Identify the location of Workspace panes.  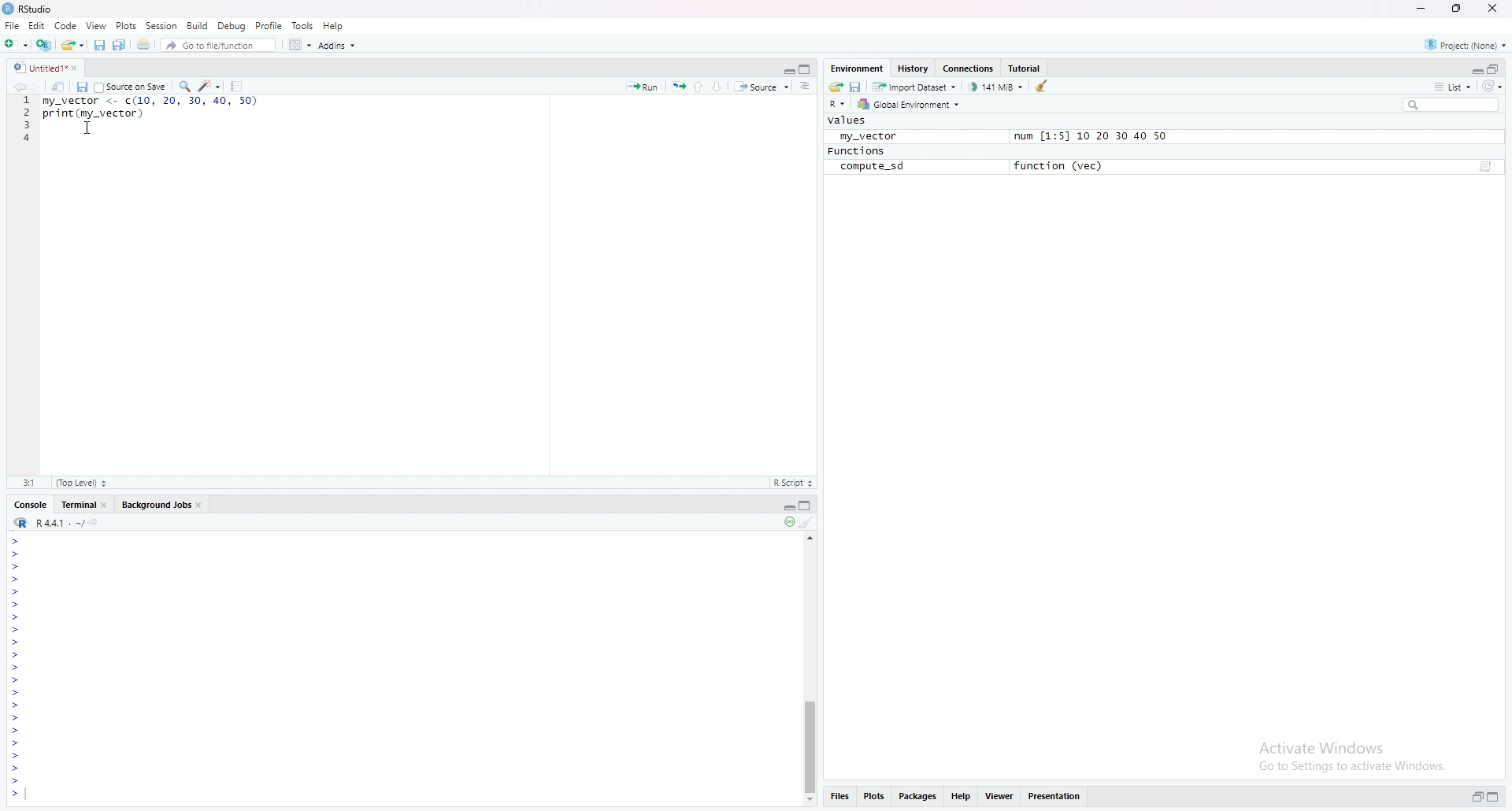
(298, 44).